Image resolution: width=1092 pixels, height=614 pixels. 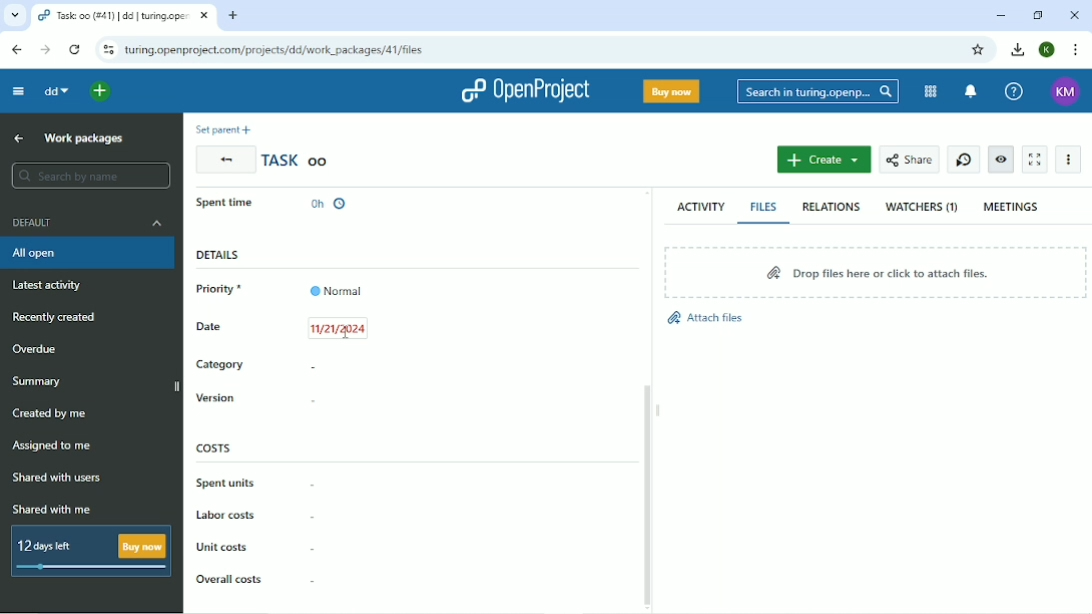 I want to click on Shared with me, so click(x=53, y=509).